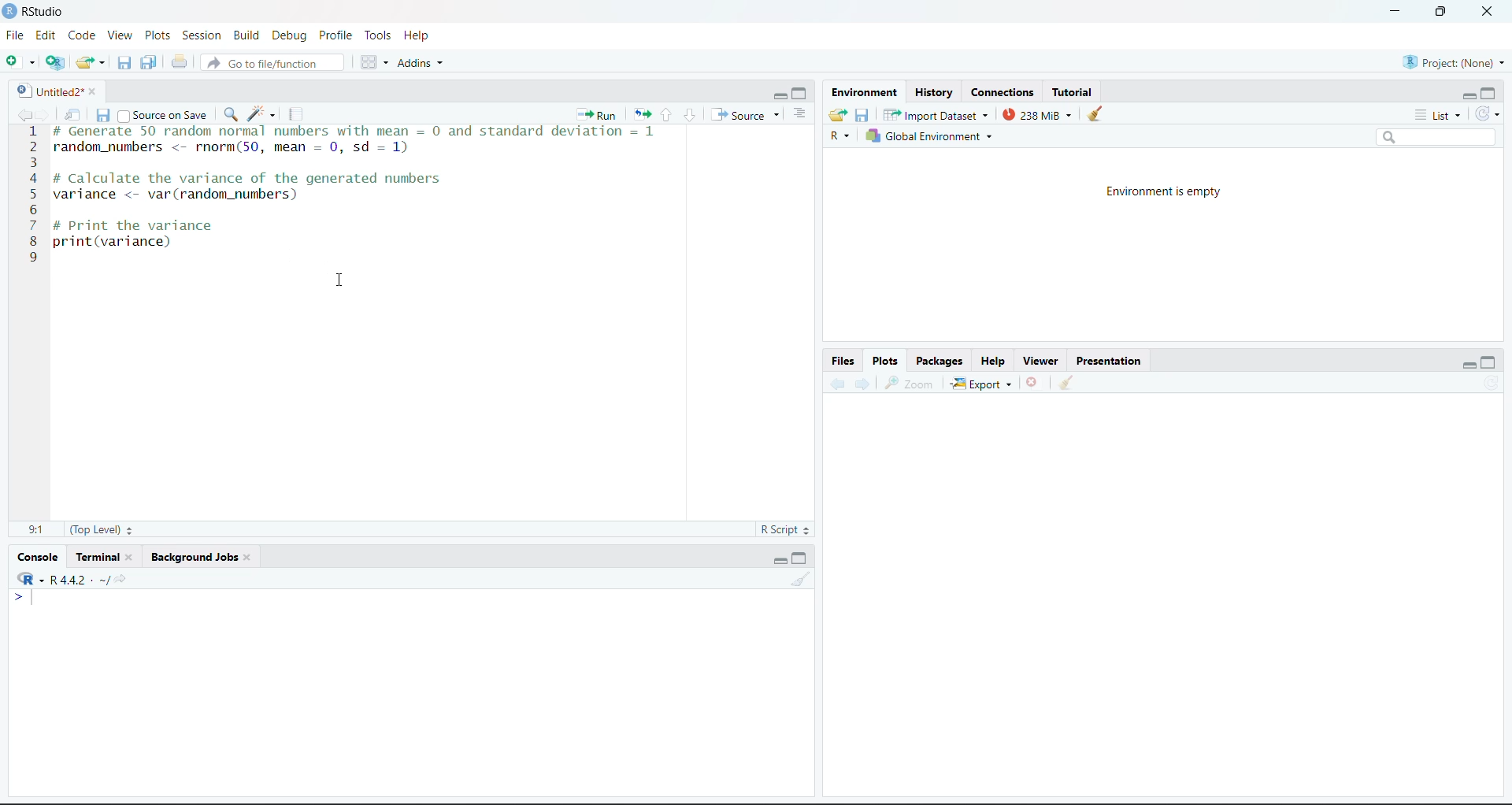 The image size is (1512, 805). I want to click on refresh, so click(1493, 382).